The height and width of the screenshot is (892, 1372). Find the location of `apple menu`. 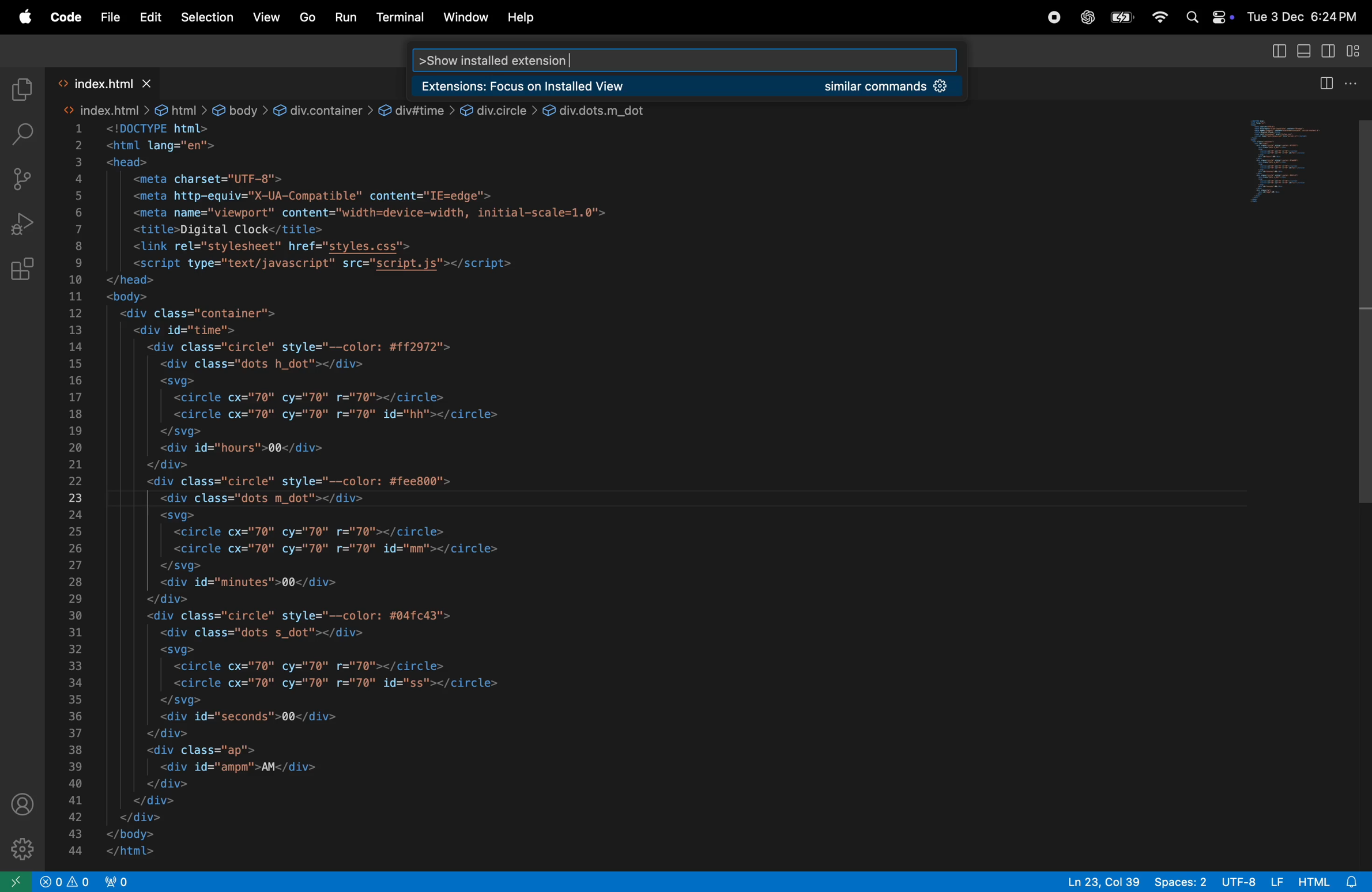

apple menu is located at coordinates (1123, 17).